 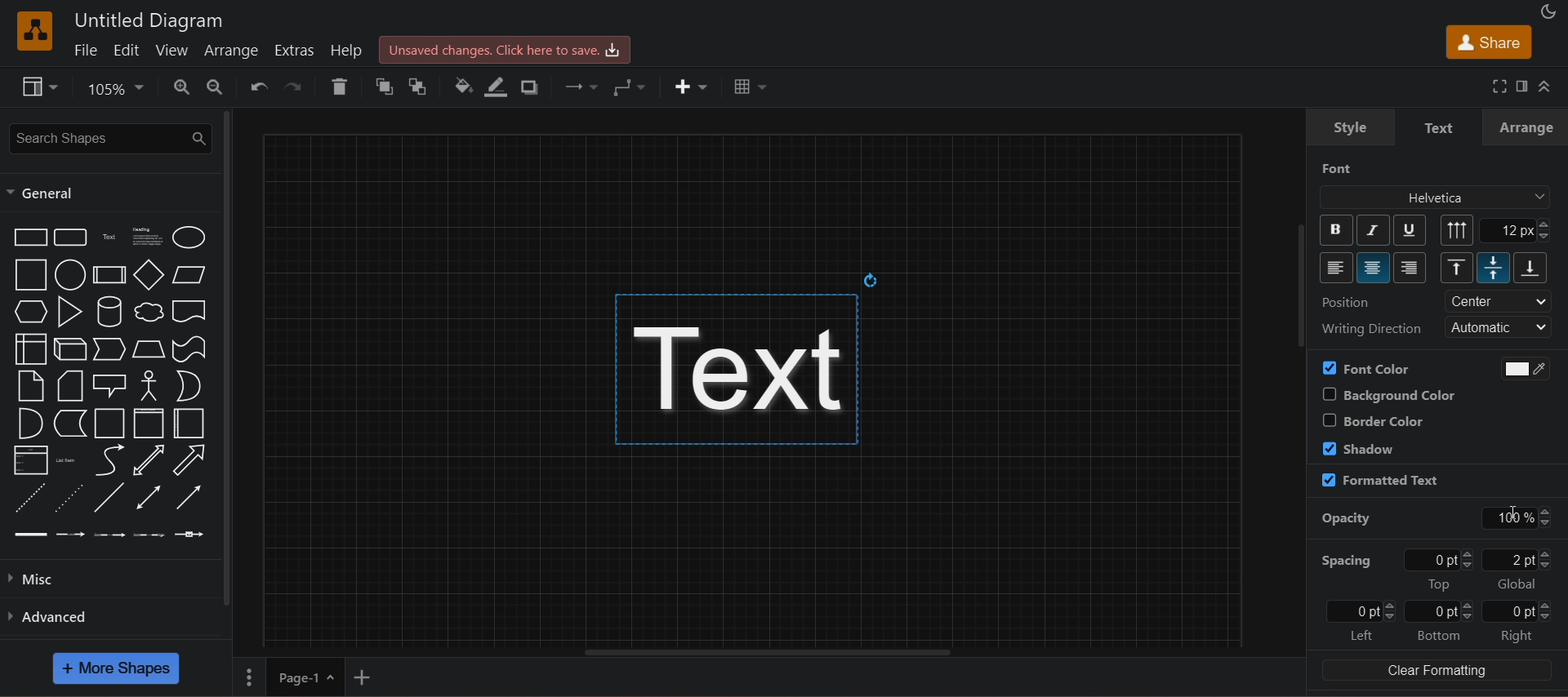 I want to click on step, so click(x=110, y=349).